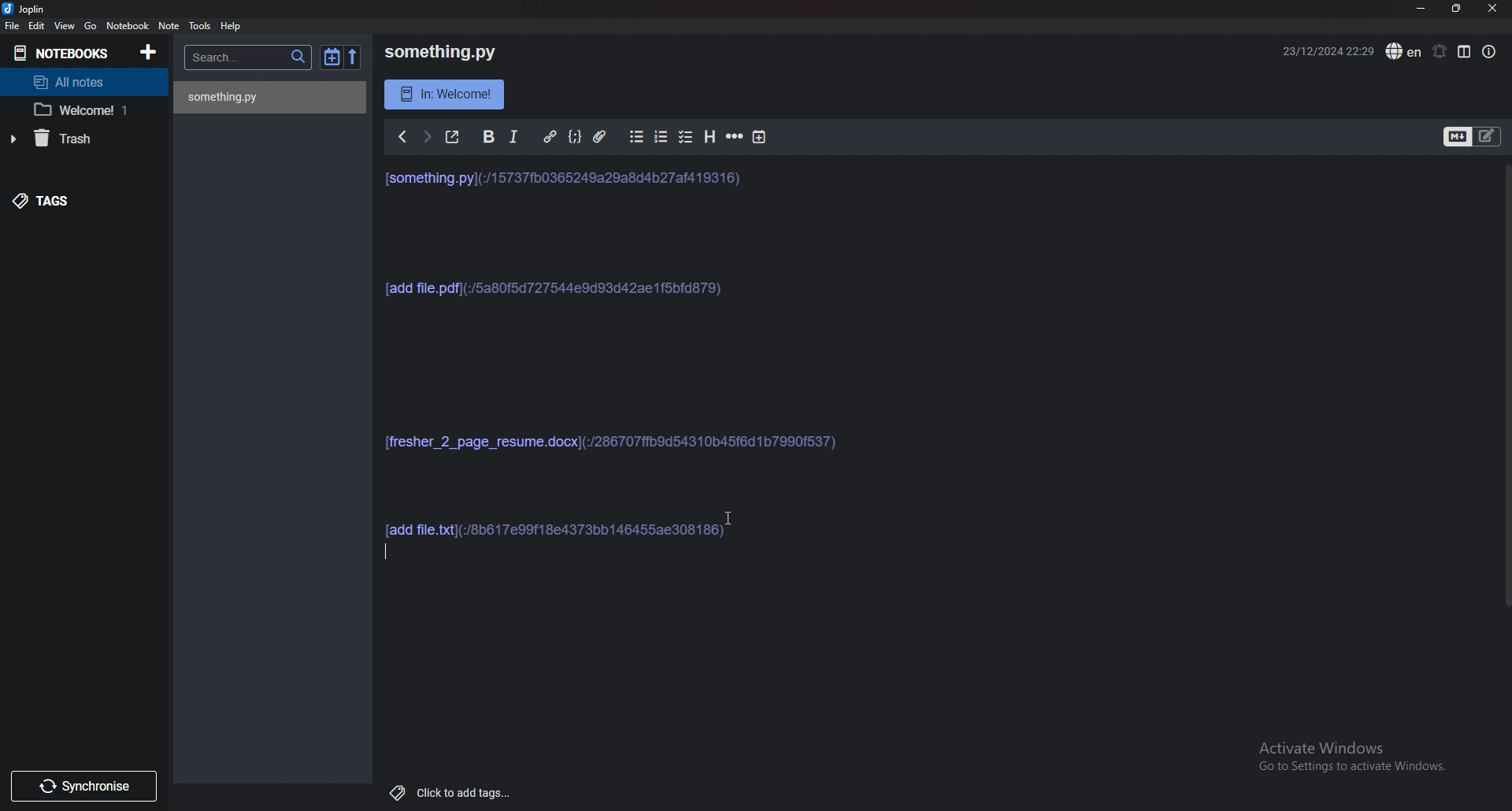  Describe the element at coordinates (1458, 9) in the screenshot. I see `Resize` at that location.